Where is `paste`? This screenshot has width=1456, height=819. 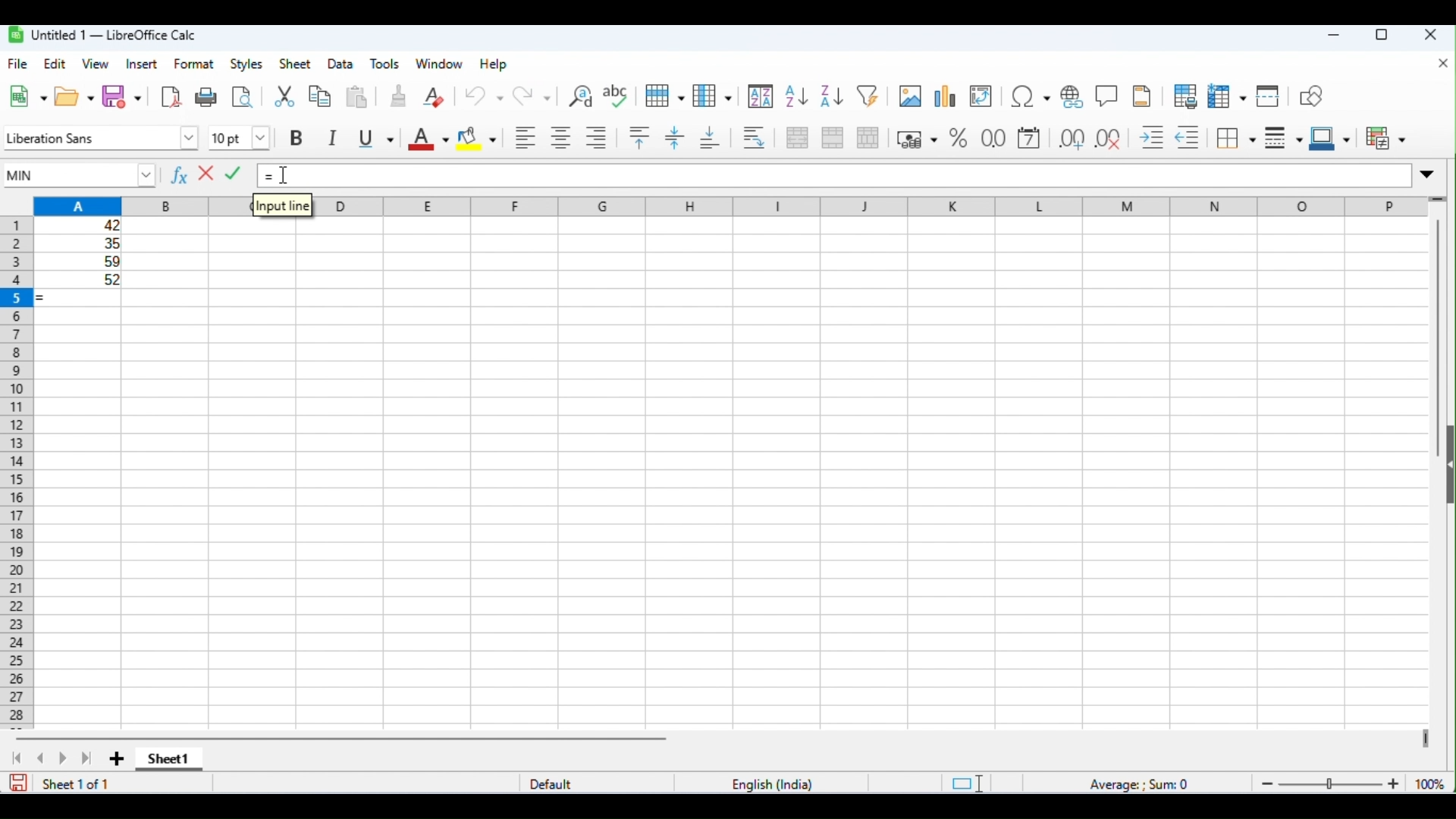 paste is located at coordinates (359, 98).